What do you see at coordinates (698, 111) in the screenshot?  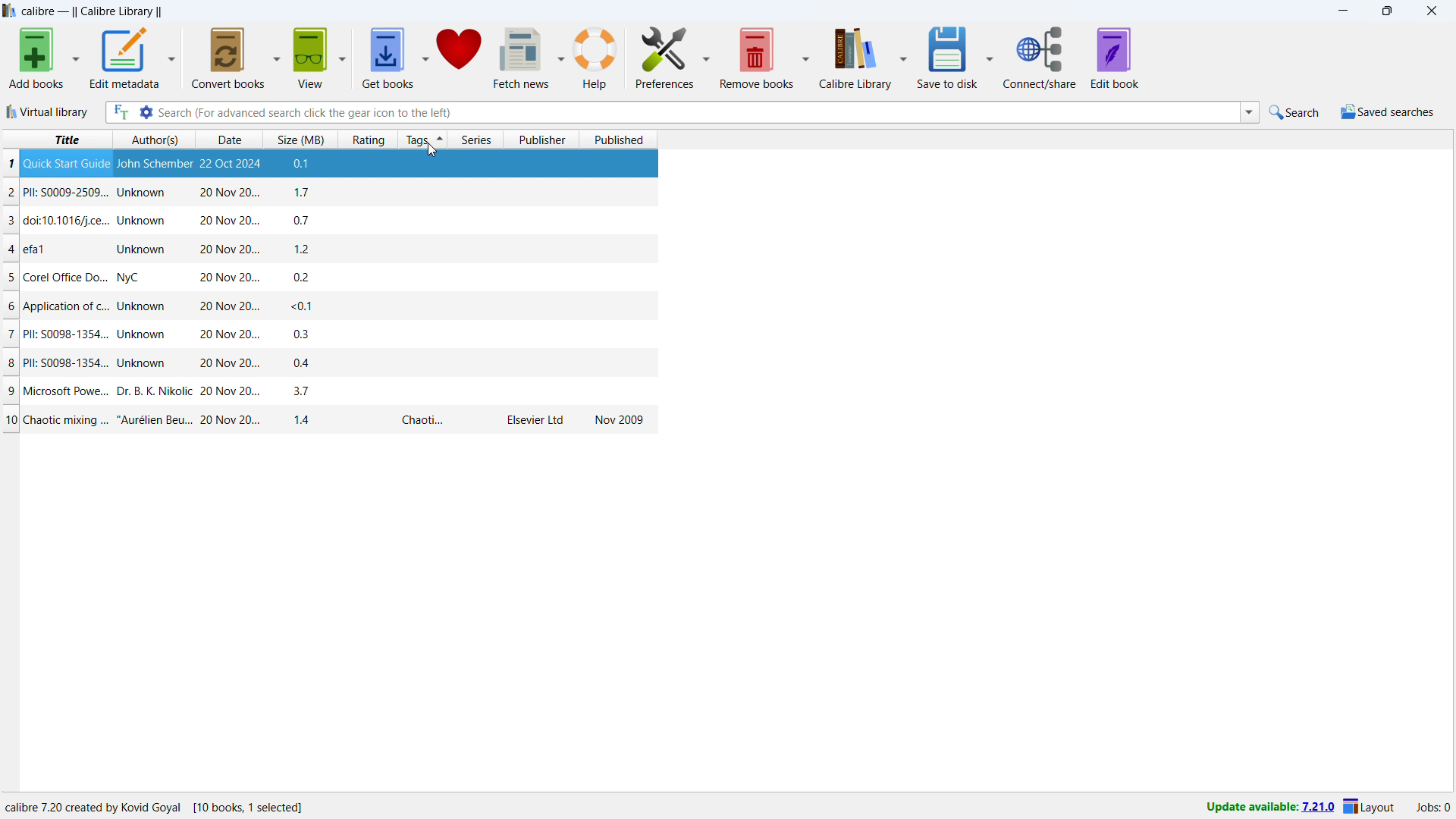 I see `enter search string` at bounding box center [698, 111].